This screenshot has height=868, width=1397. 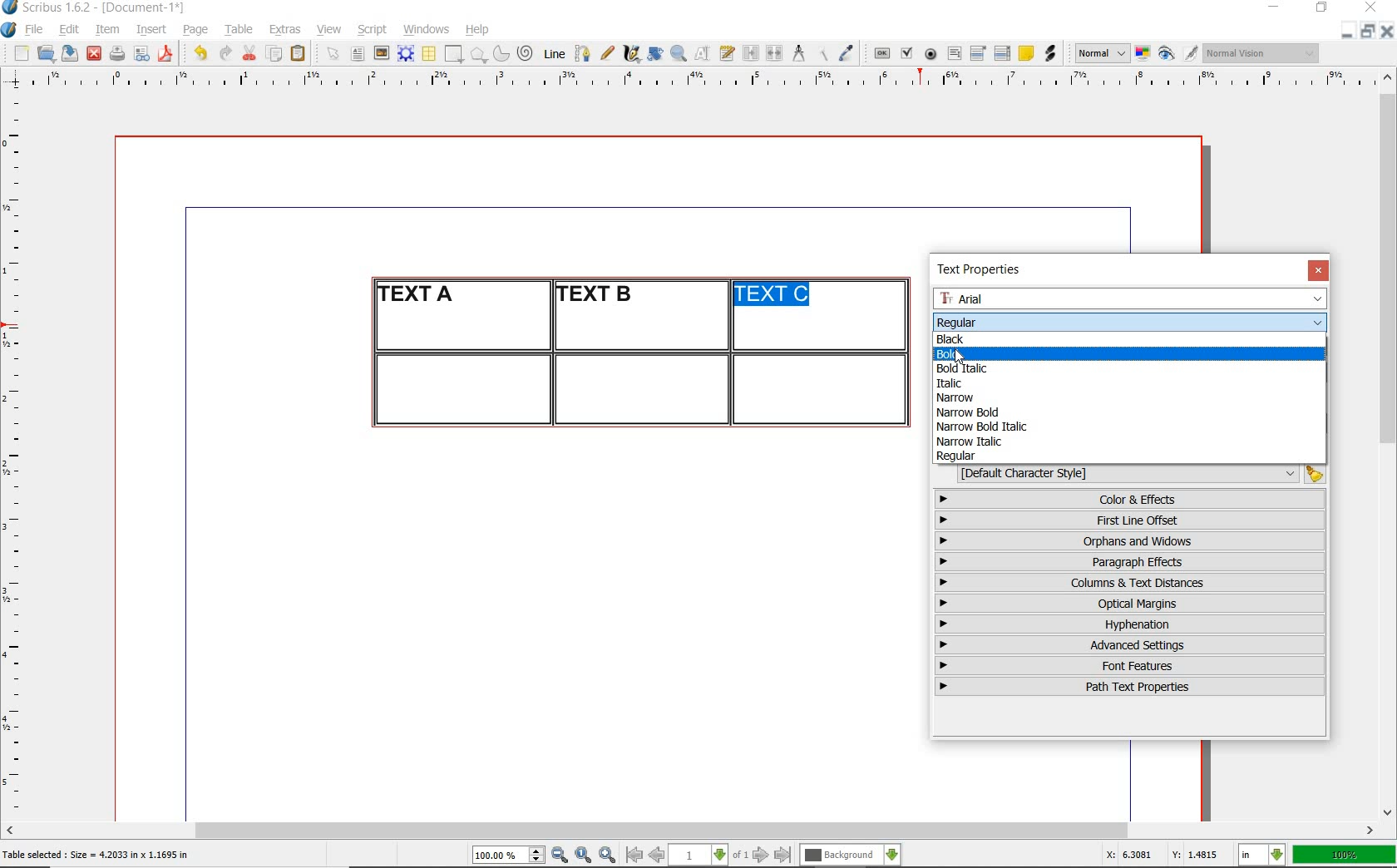 What do you see at coordinates (383, 53) in the screenshot?
I see `image frame` at bounding box center [383, 53].